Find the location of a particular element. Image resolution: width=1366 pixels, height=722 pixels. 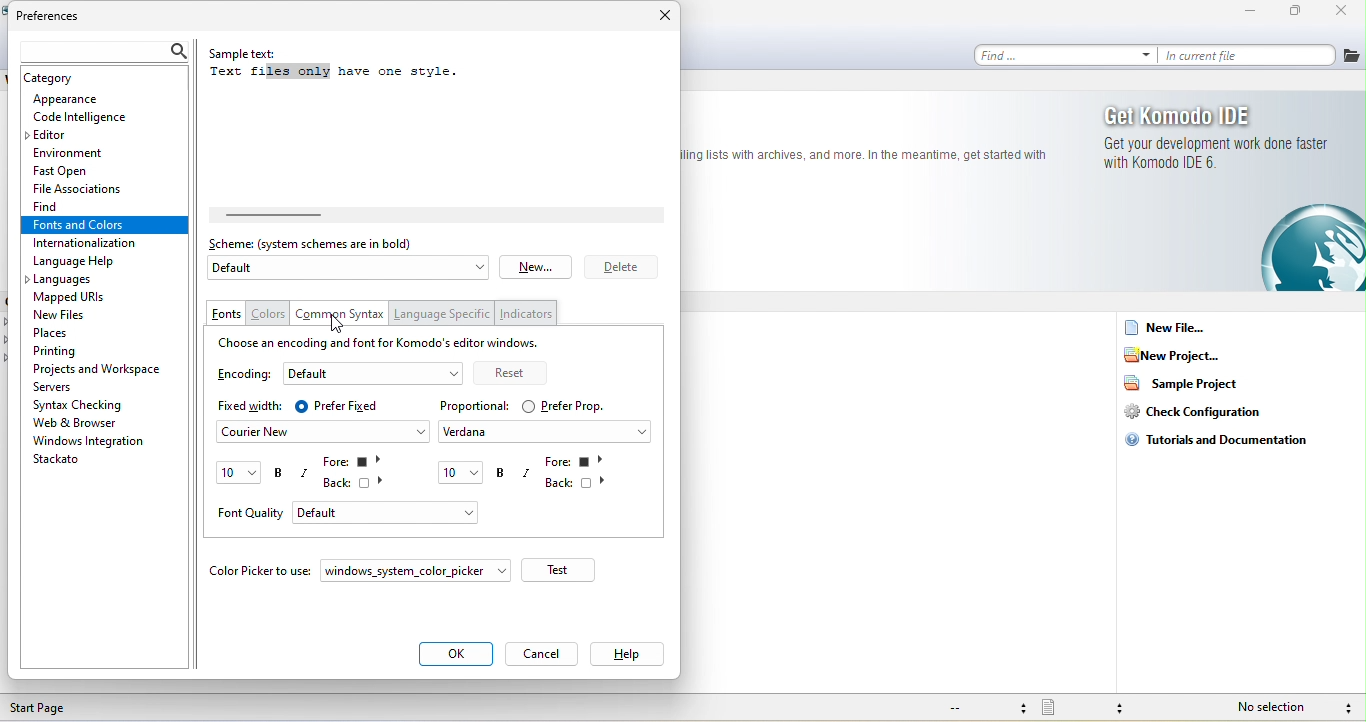

italic is located at coordinates (304, 477).